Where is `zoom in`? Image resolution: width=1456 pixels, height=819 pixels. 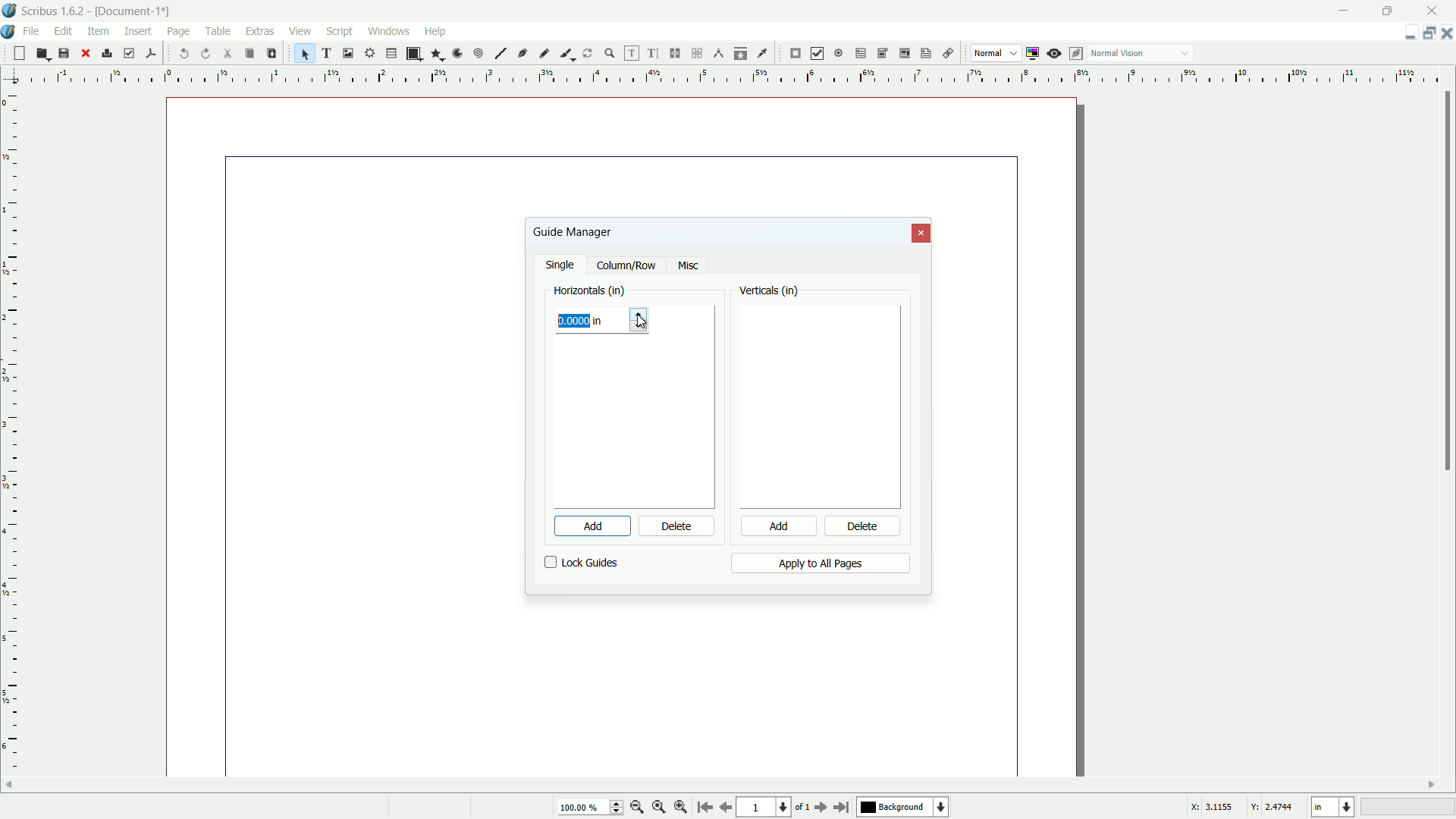
zoom in is located at coordinates (681, 808).